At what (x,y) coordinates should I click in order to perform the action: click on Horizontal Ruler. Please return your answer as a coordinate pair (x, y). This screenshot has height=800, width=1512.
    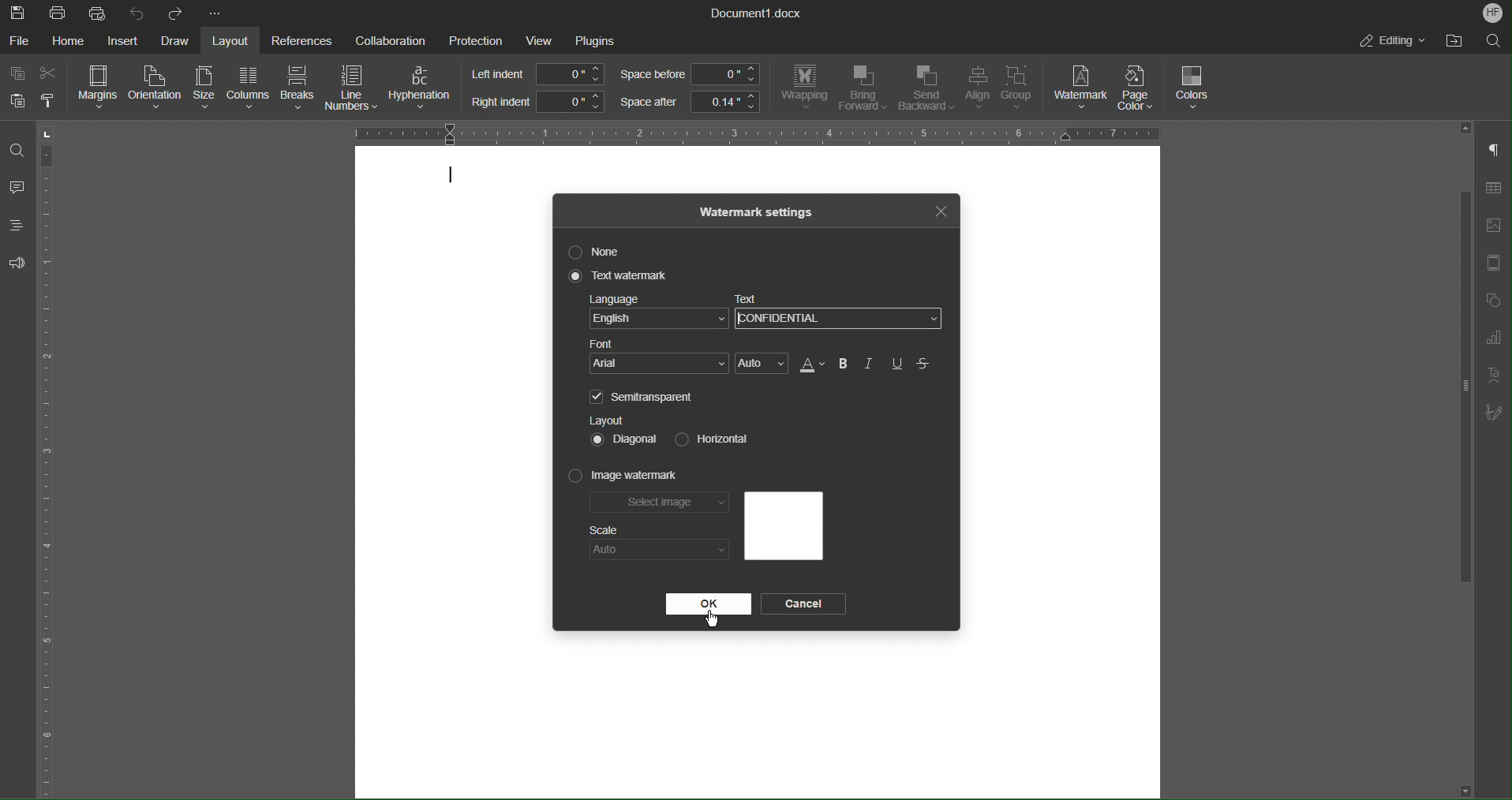
    Looking at the image, I should click on (750, 132).